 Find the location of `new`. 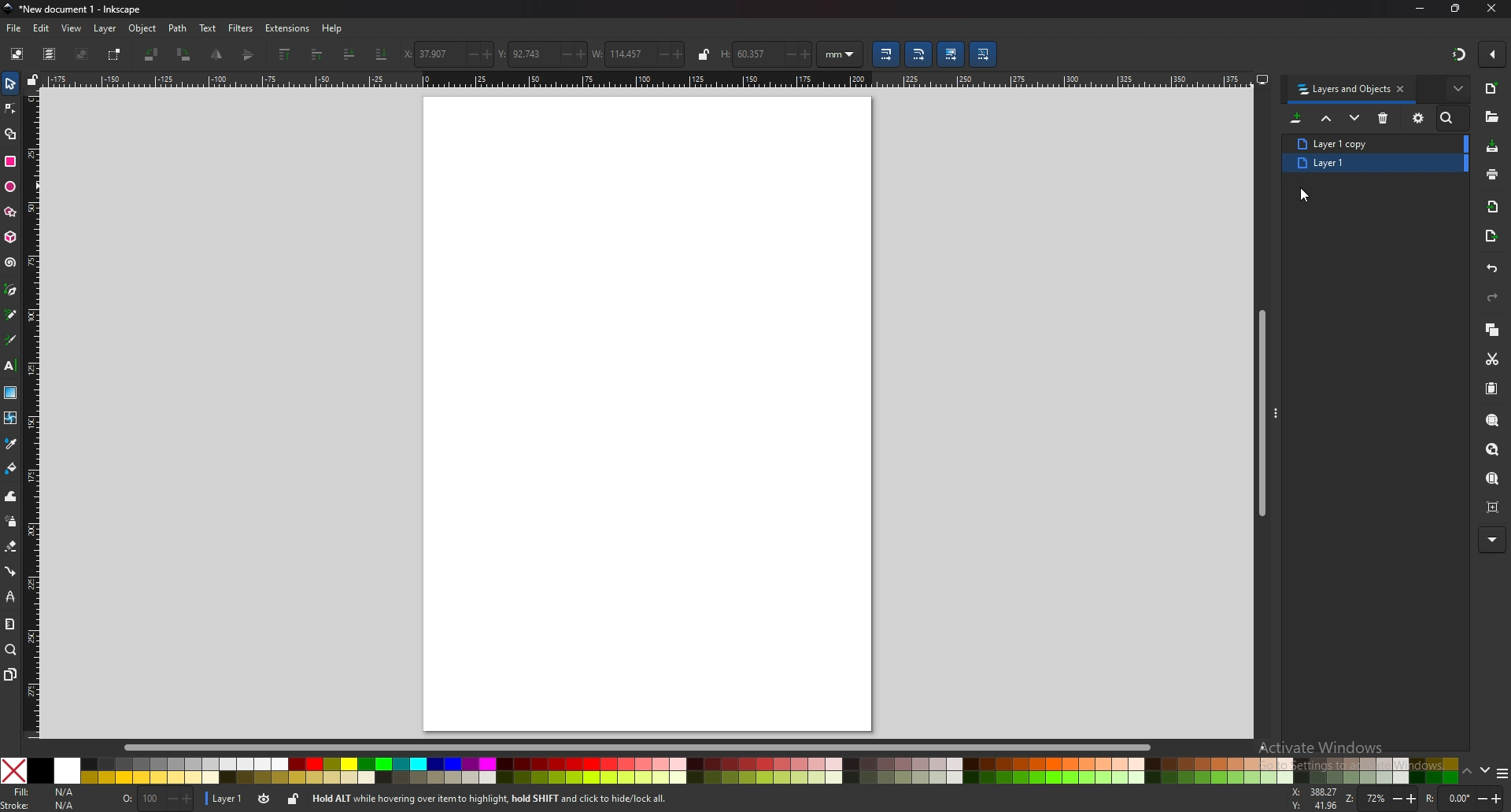

new is located at coordinates (1492, 88).